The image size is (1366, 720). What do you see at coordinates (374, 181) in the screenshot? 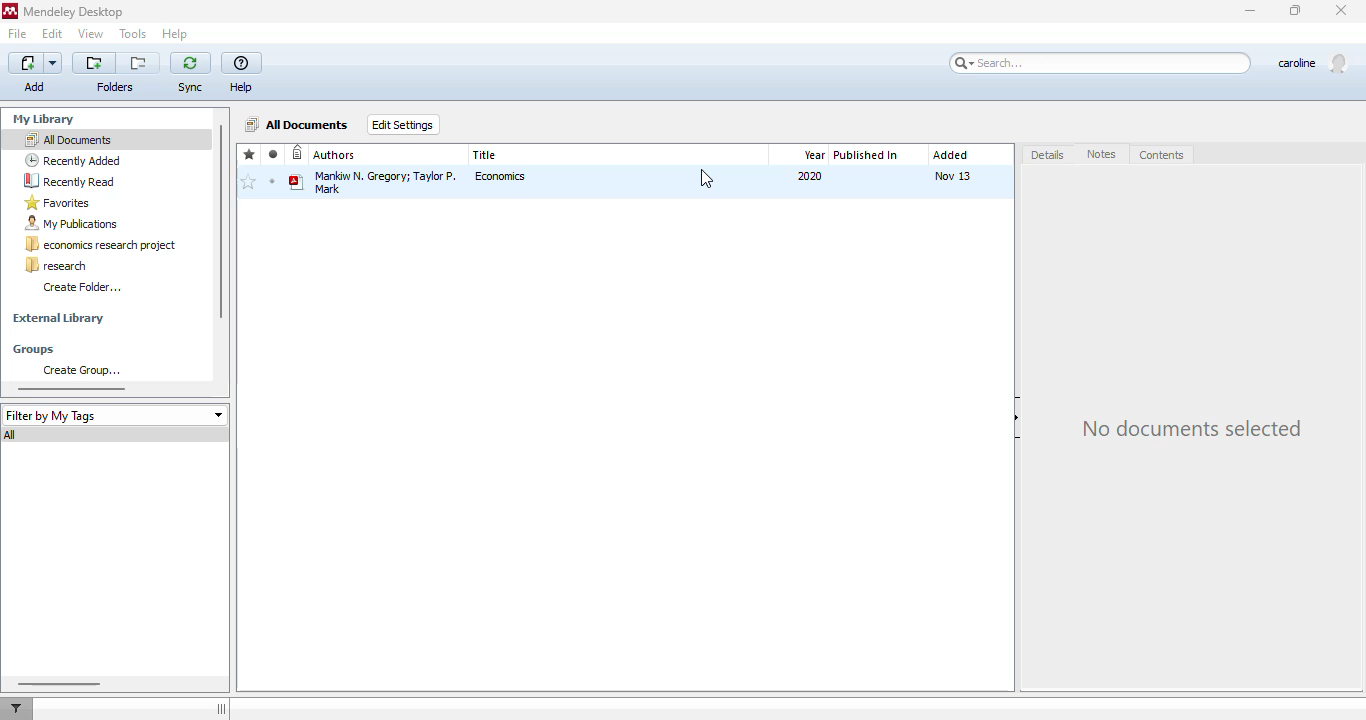
I see `Mankiw N. Gregor; Taylor P. Mark` at bounding box center [374, 181].